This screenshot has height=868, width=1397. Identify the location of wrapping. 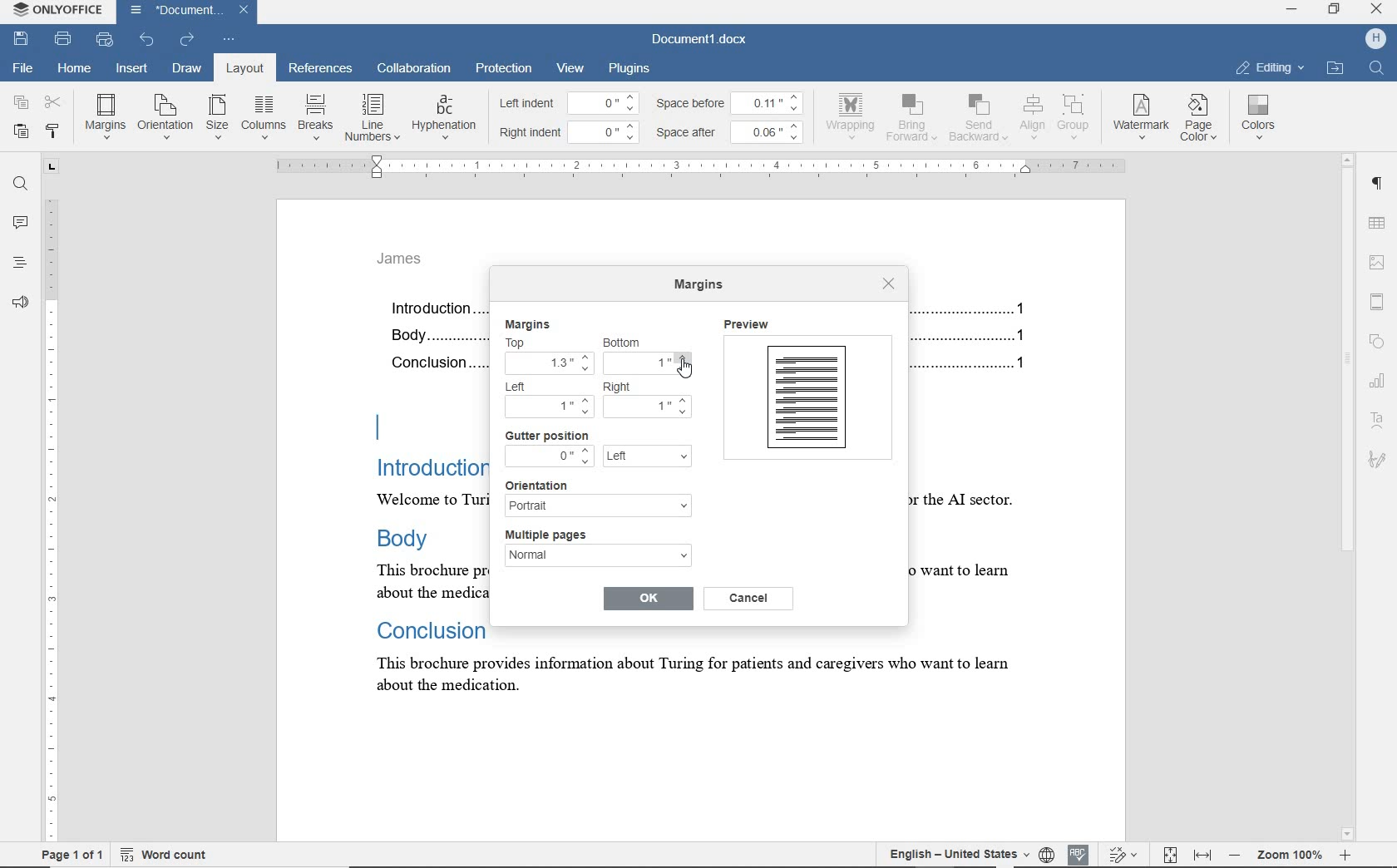
(853, 116).